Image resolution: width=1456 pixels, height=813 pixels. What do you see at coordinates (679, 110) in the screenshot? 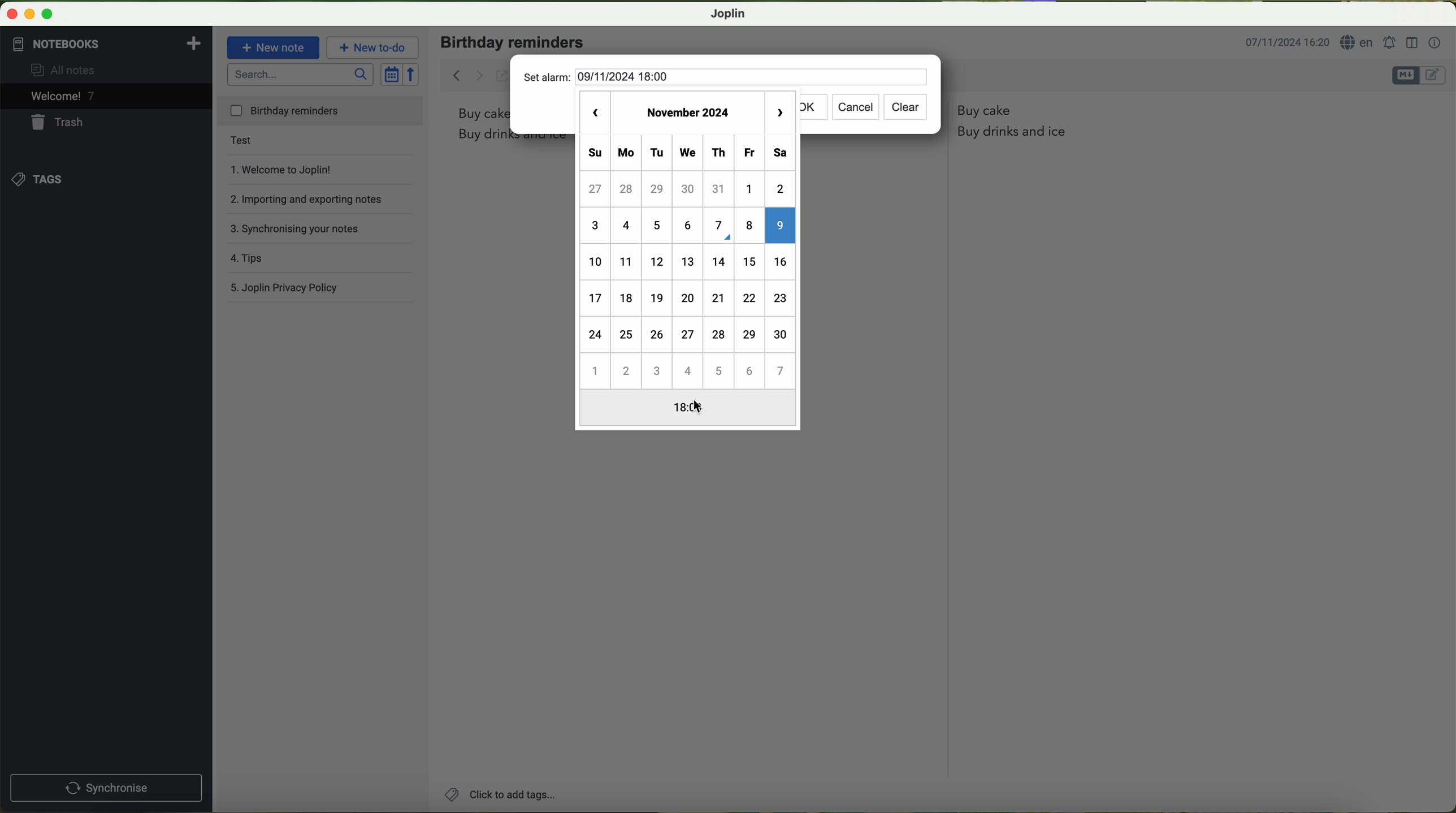
I see `november 2024` at bounding box center [679, 110].